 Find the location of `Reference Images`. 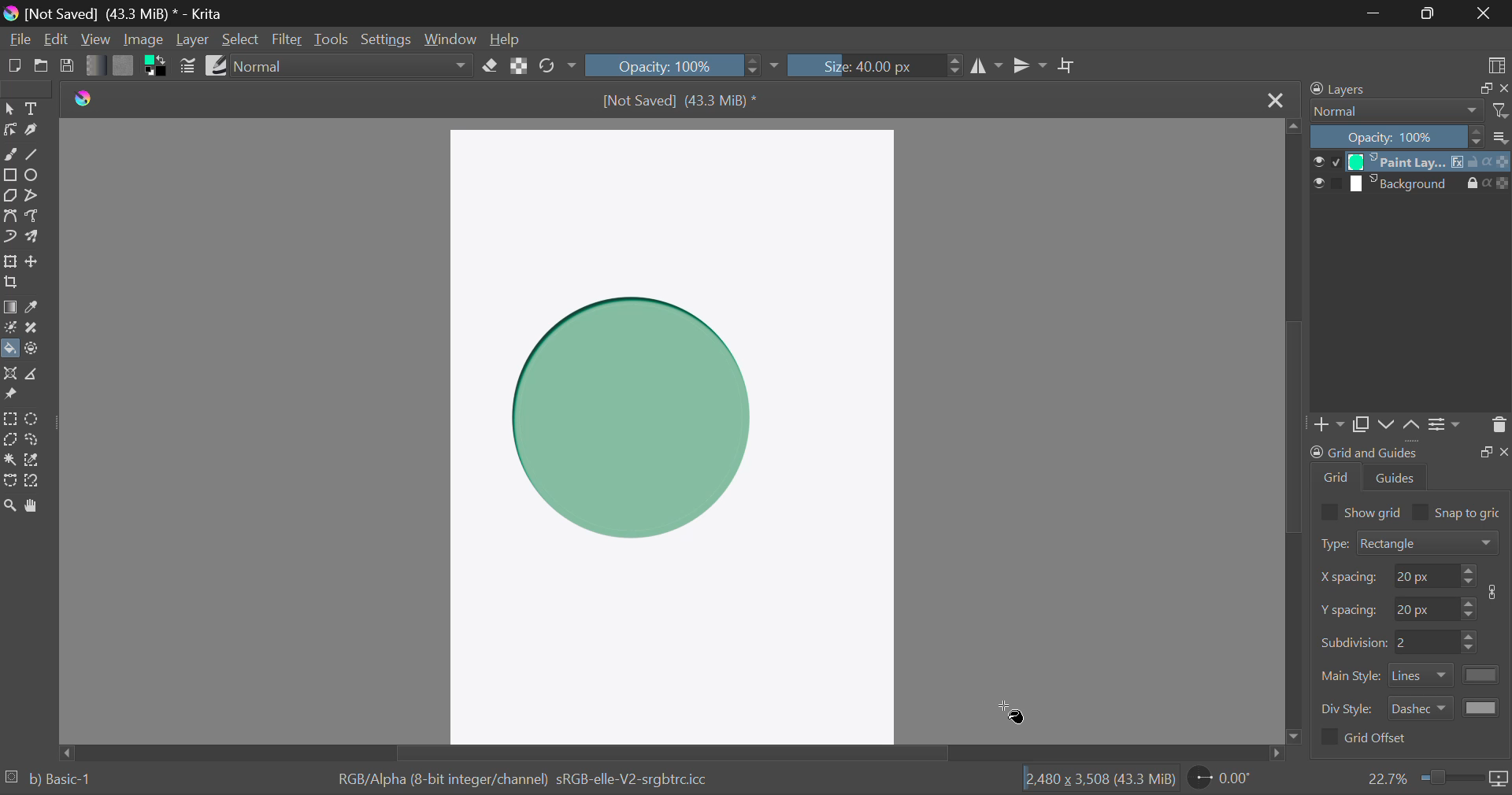

Reference Images is located at coordinates (9, 394).